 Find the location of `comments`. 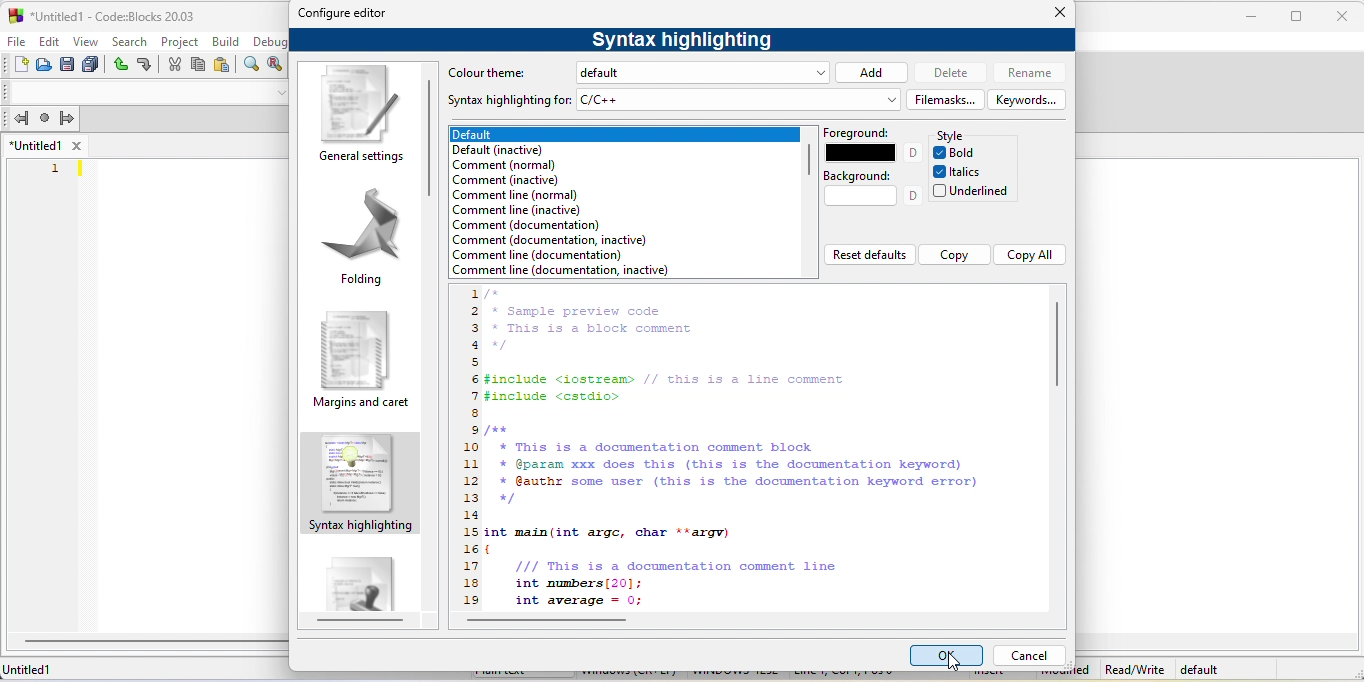

comments is located at coordinates (733, 465).